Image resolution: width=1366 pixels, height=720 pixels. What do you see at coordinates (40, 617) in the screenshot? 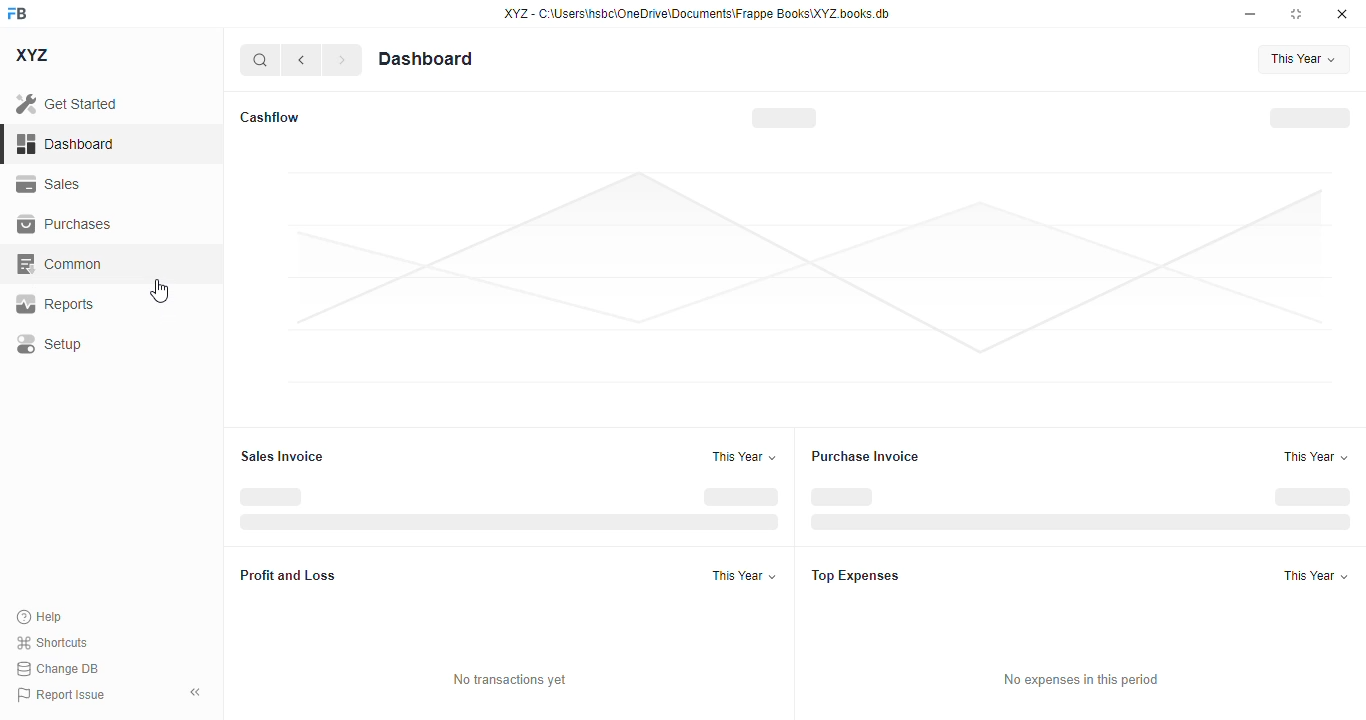
I see `help` at bounding box center [40, 617].